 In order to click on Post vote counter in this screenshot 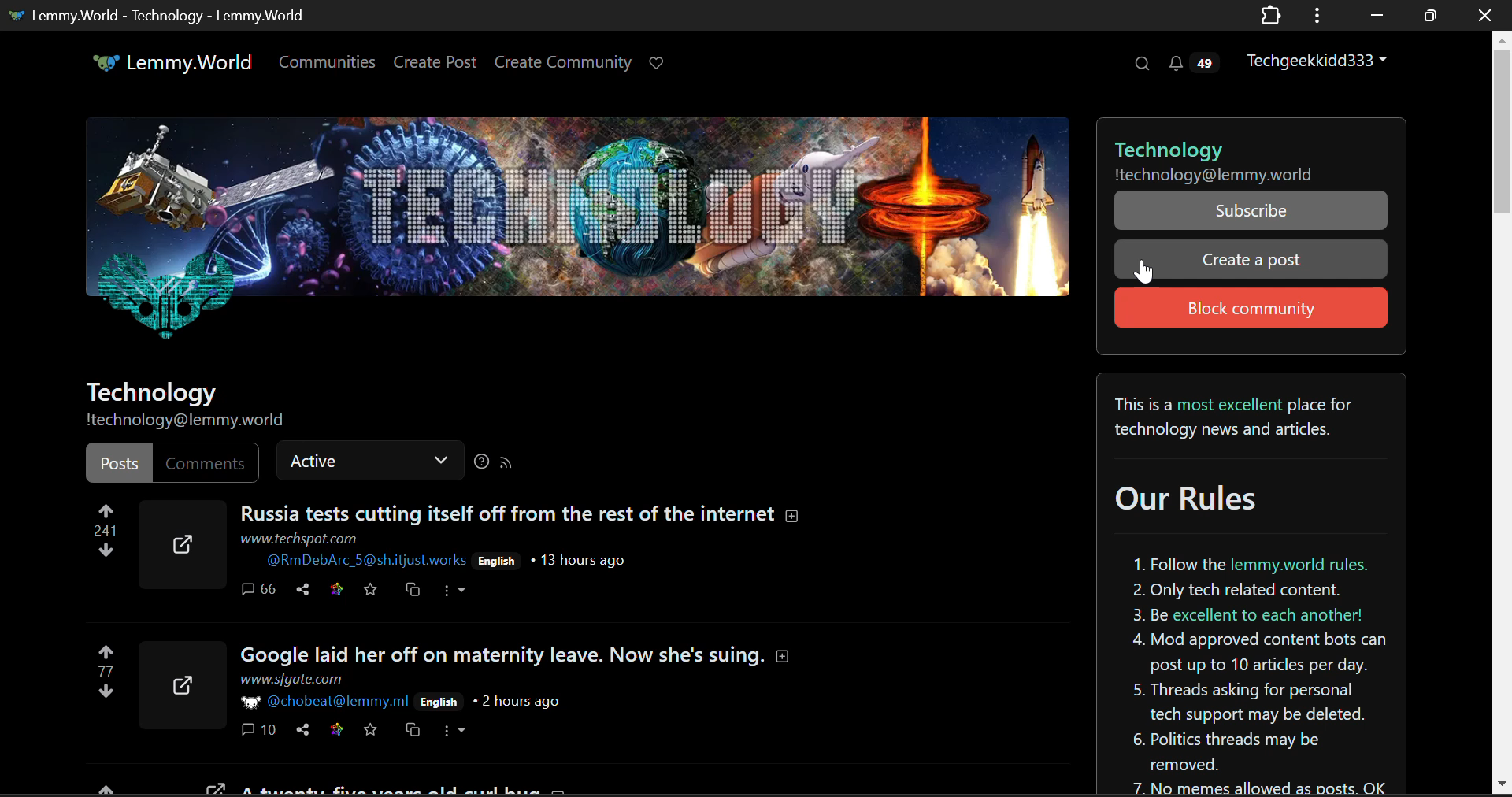, I will do `click(106, 529)`.